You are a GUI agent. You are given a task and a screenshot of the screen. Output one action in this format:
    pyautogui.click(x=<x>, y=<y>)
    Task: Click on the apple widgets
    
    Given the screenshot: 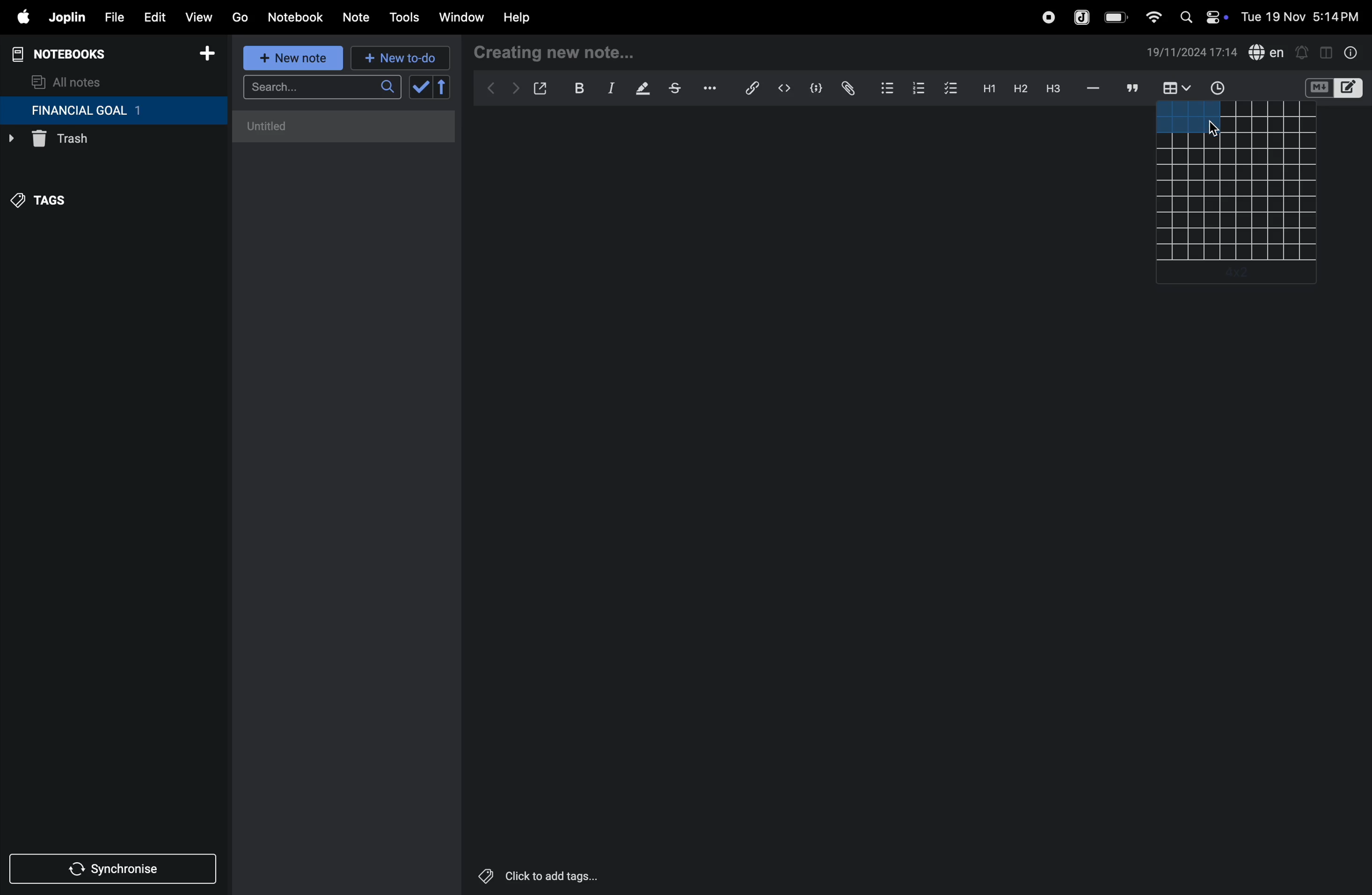 What is the action you would take?
    pyautogui.click(x=1201, y=16)
    